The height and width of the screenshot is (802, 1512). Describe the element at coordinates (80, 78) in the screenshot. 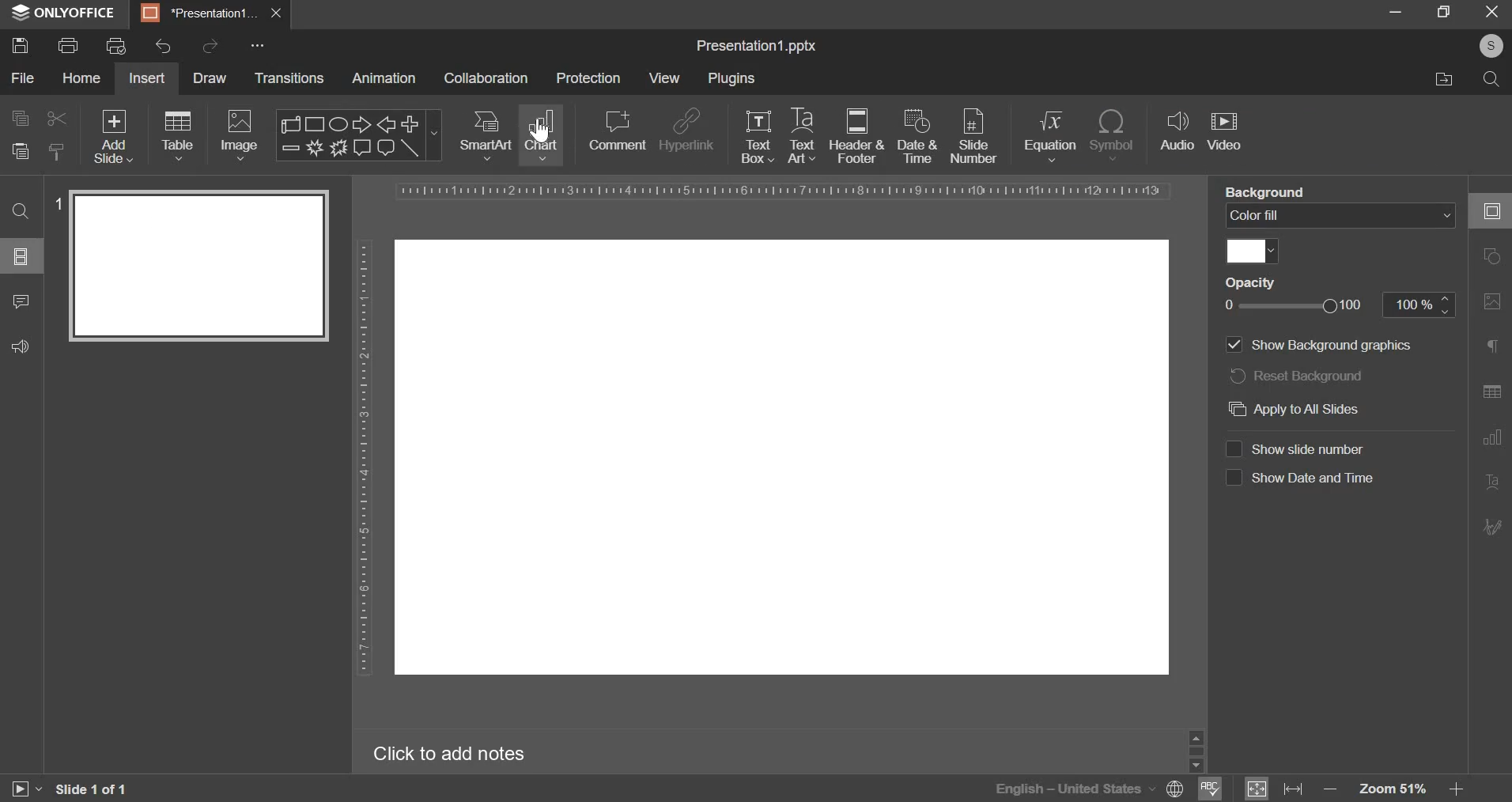

I see `home` at that location.